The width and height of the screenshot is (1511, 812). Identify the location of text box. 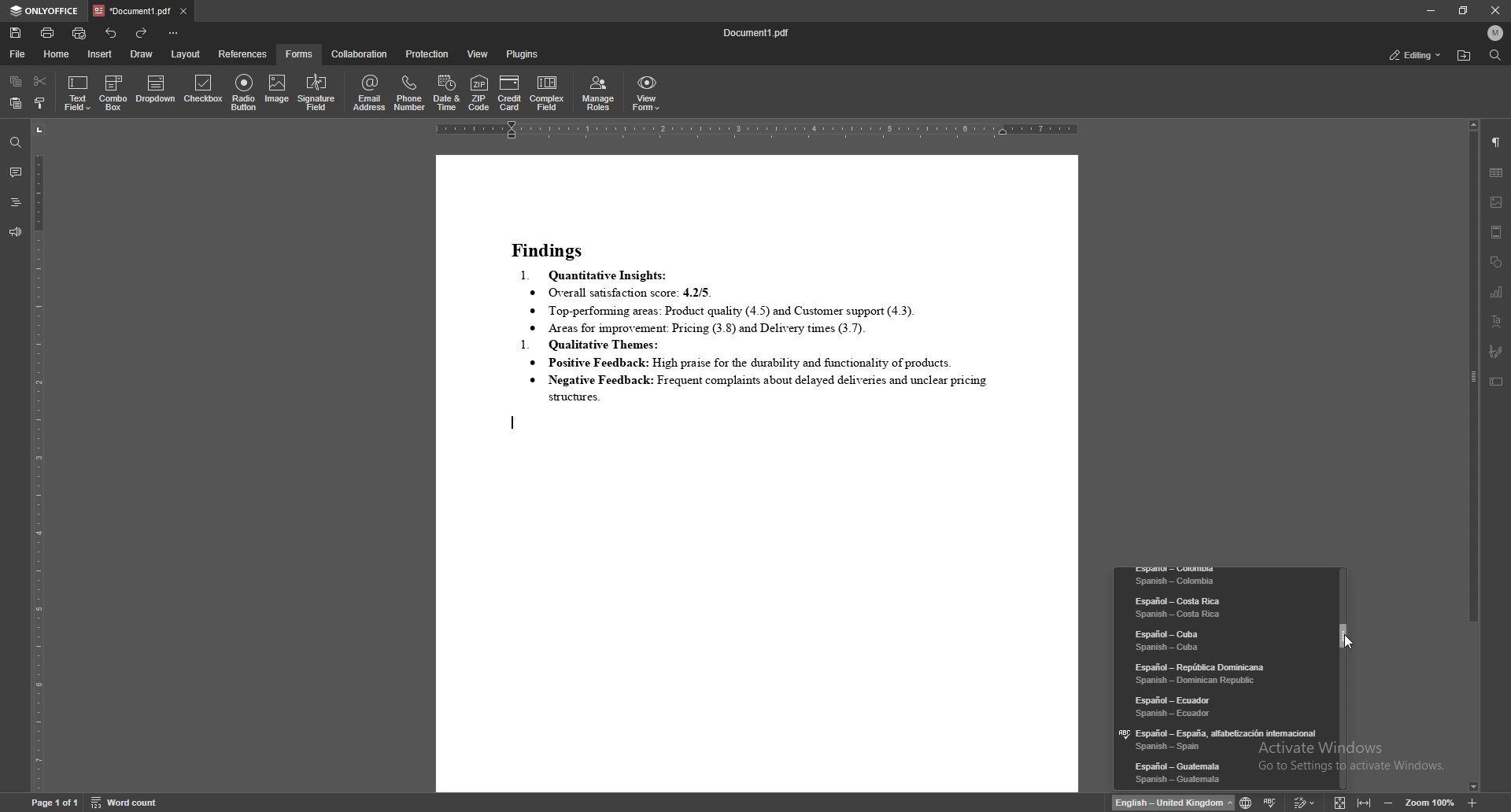
(1496, 382).